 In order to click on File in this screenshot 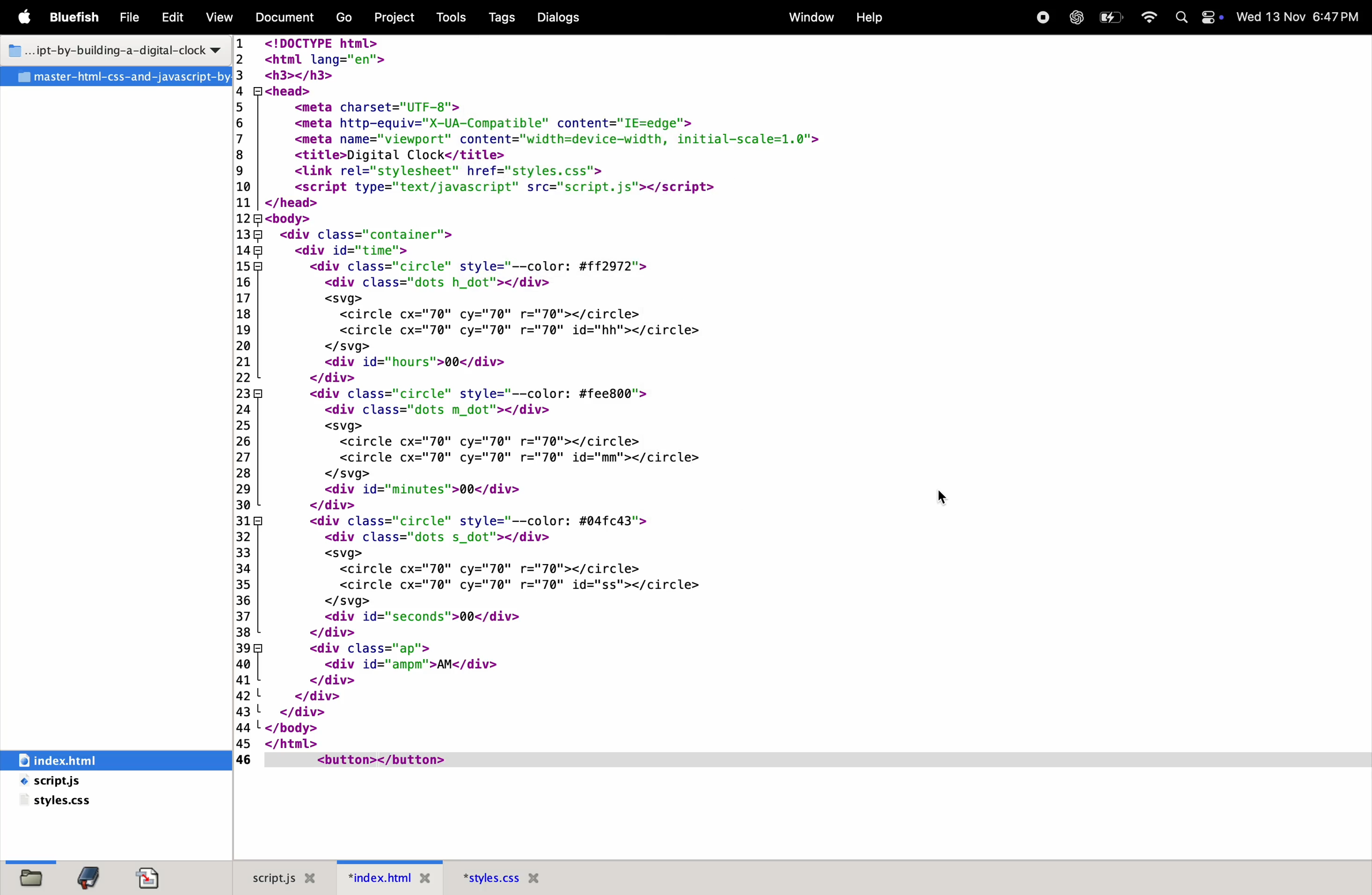, I will do `click(133, 17)`.